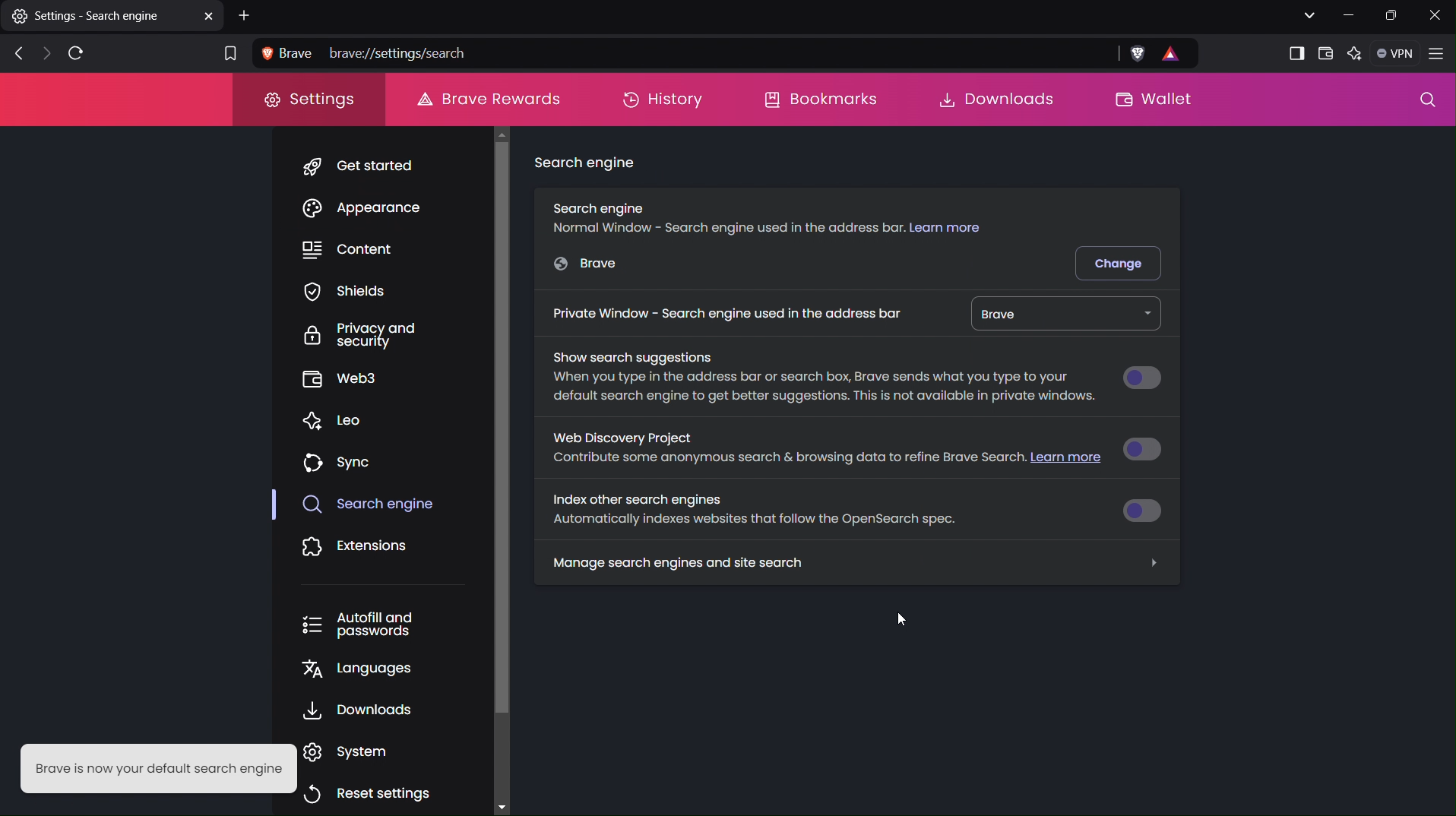 Image resolution: width=1456 pixels, height=816 pixels. Describe the element at coordinates (1147, 509) in the screenshot. I see `Button` at that location.